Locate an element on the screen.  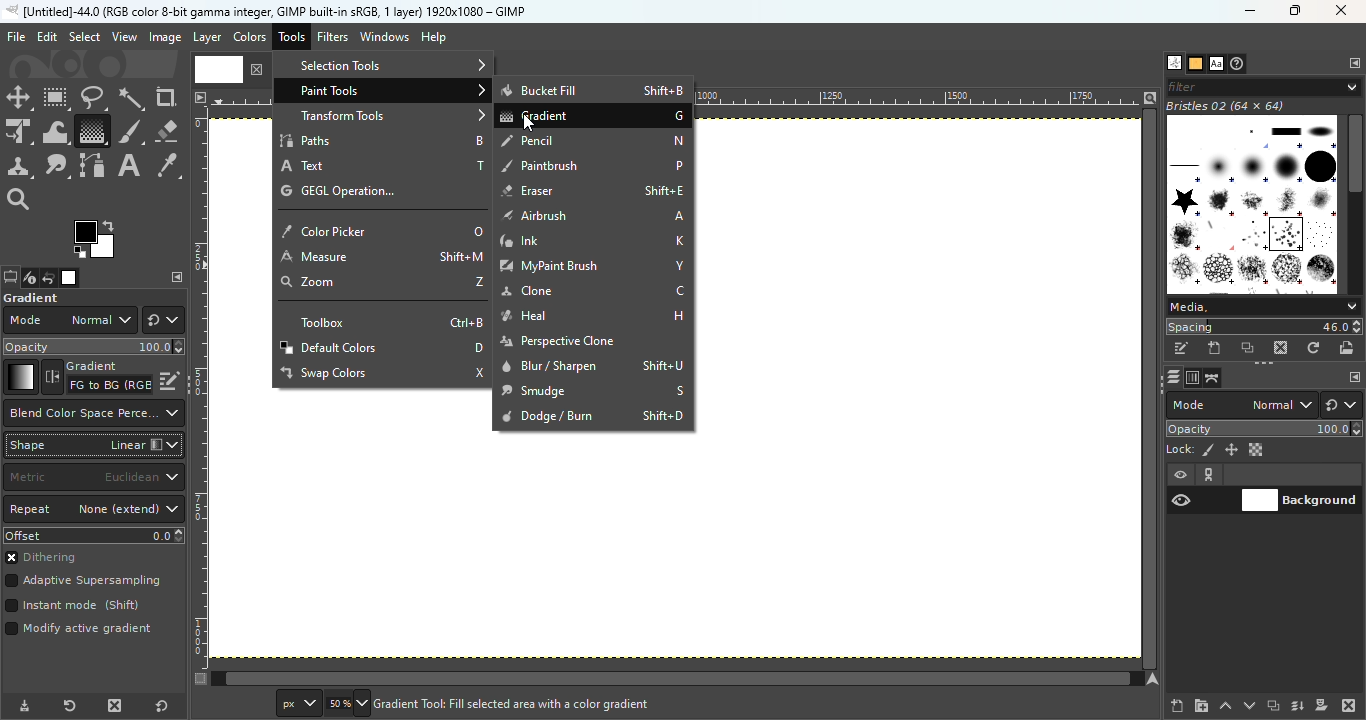
Color picker is located at coordinates (381, 225).